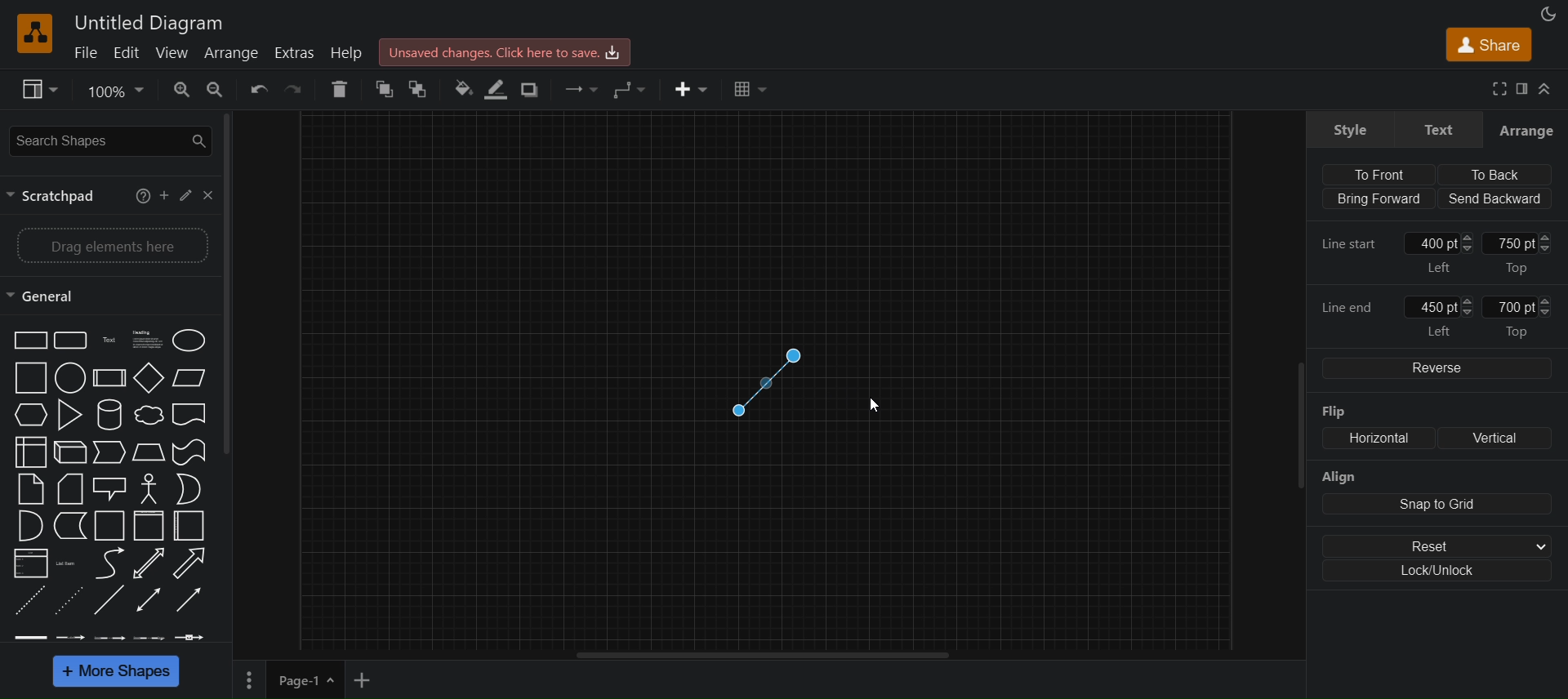  Describe the element at coordinates (1434, 367) in the screenshot. I see `reverse` at that location.